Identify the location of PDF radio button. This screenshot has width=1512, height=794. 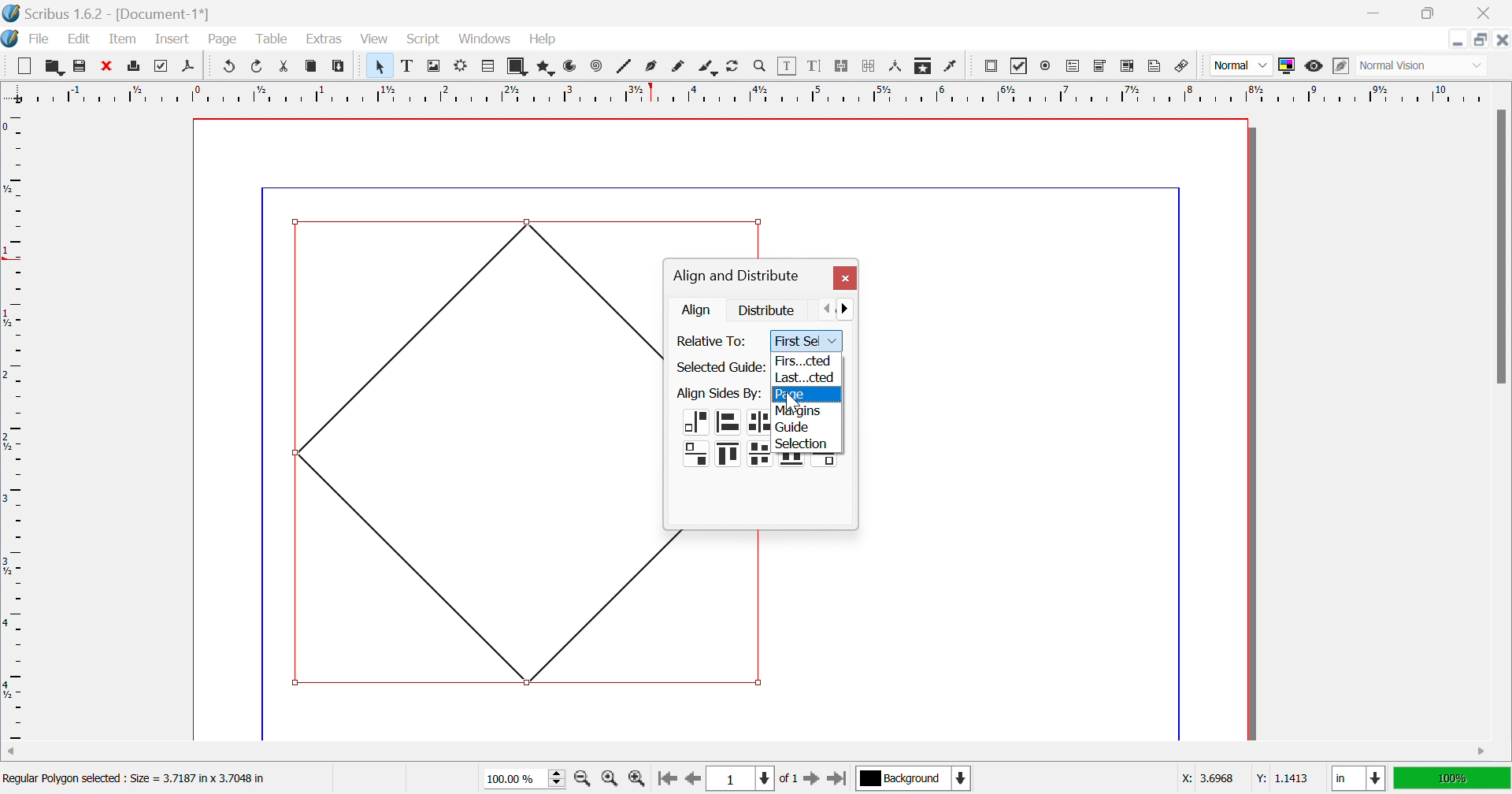
(1048, 64).